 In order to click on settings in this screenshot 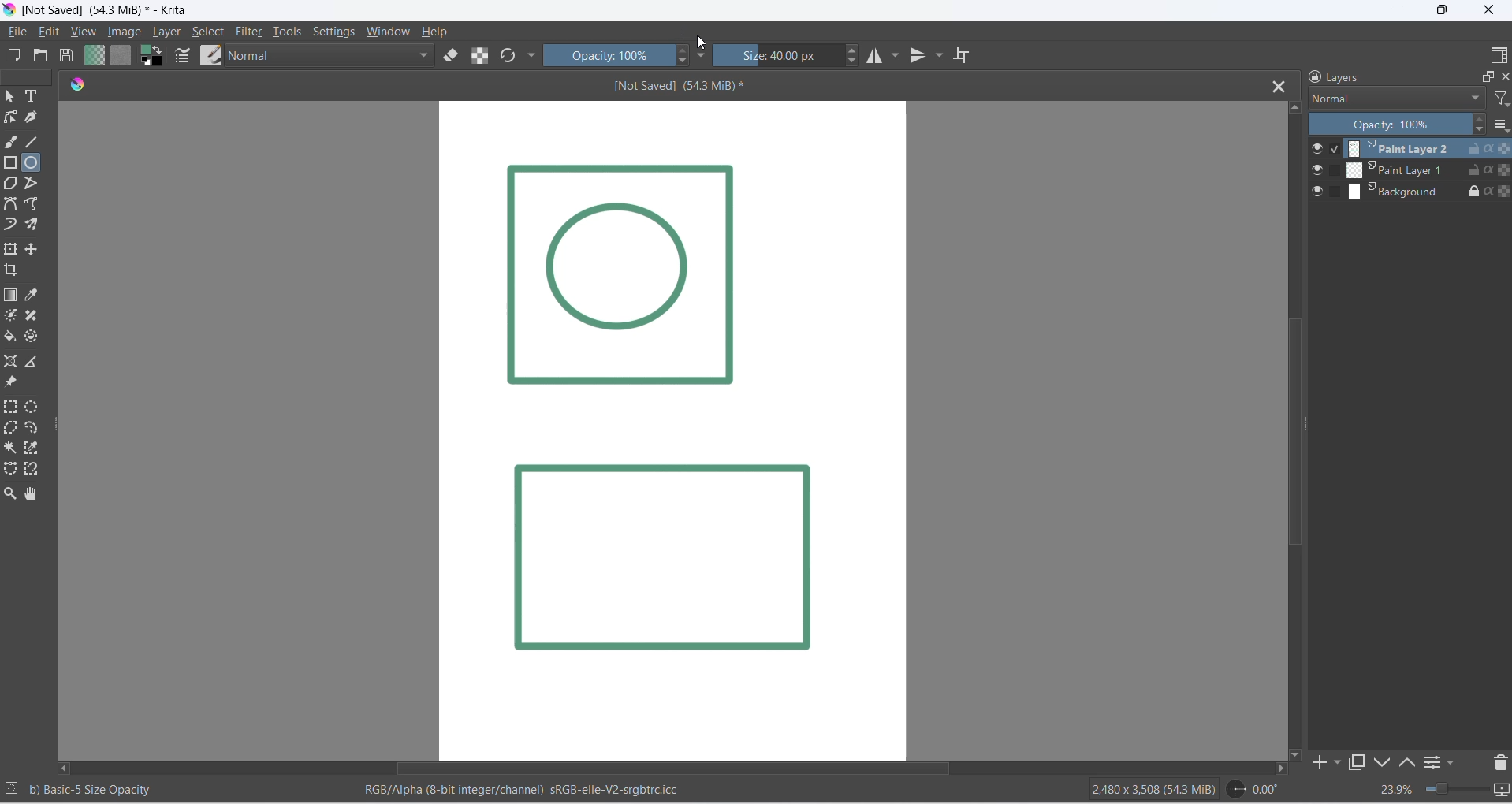, I will do `click(336, 33)`.